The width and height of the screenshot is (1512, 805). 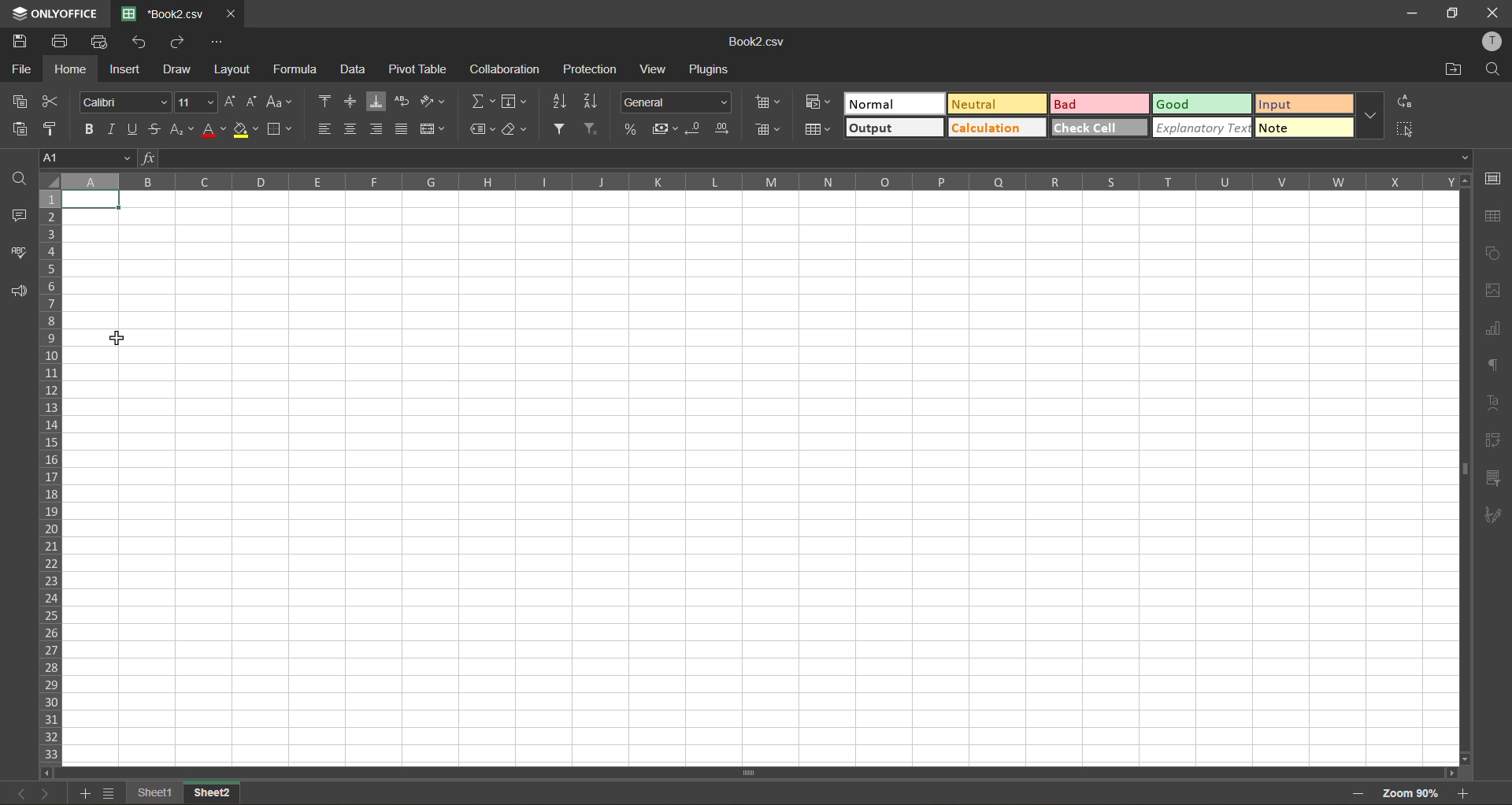 I want to click on select all, so click(x=1406, y=128).